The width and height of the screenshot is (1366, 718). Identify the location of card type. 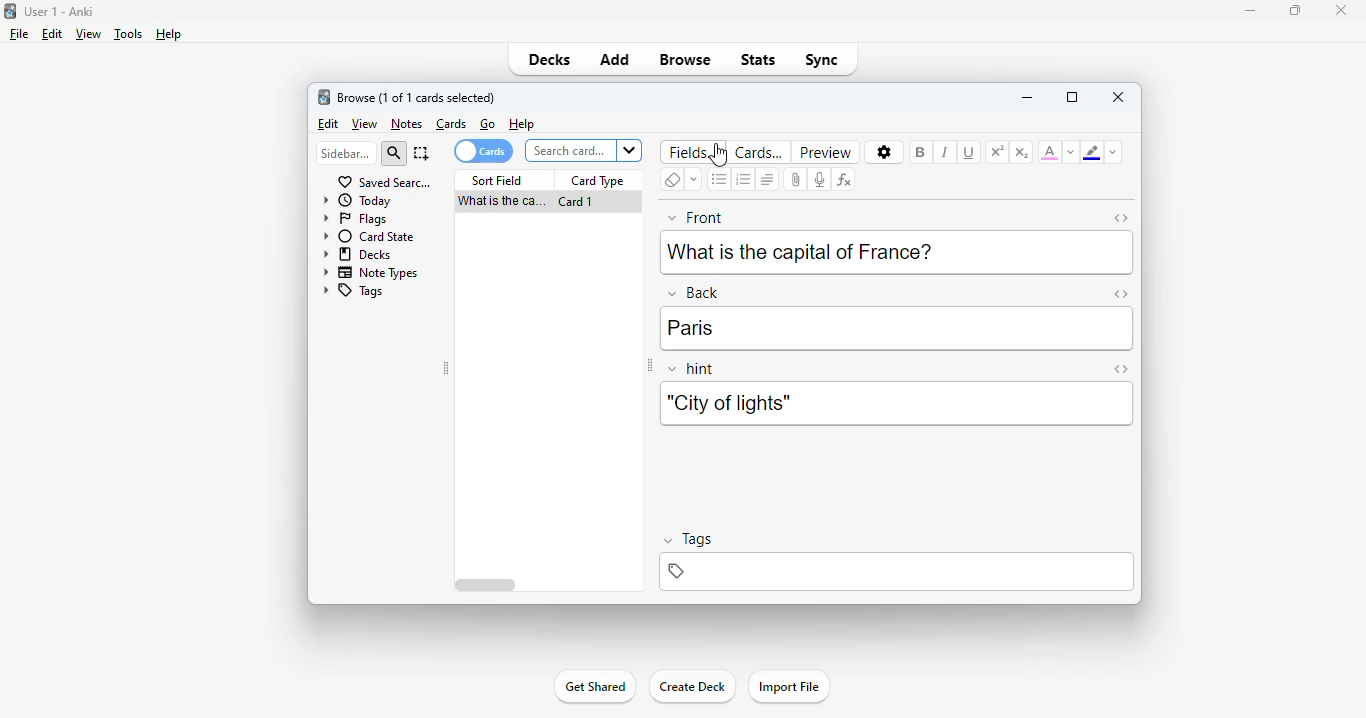
(598, 181).